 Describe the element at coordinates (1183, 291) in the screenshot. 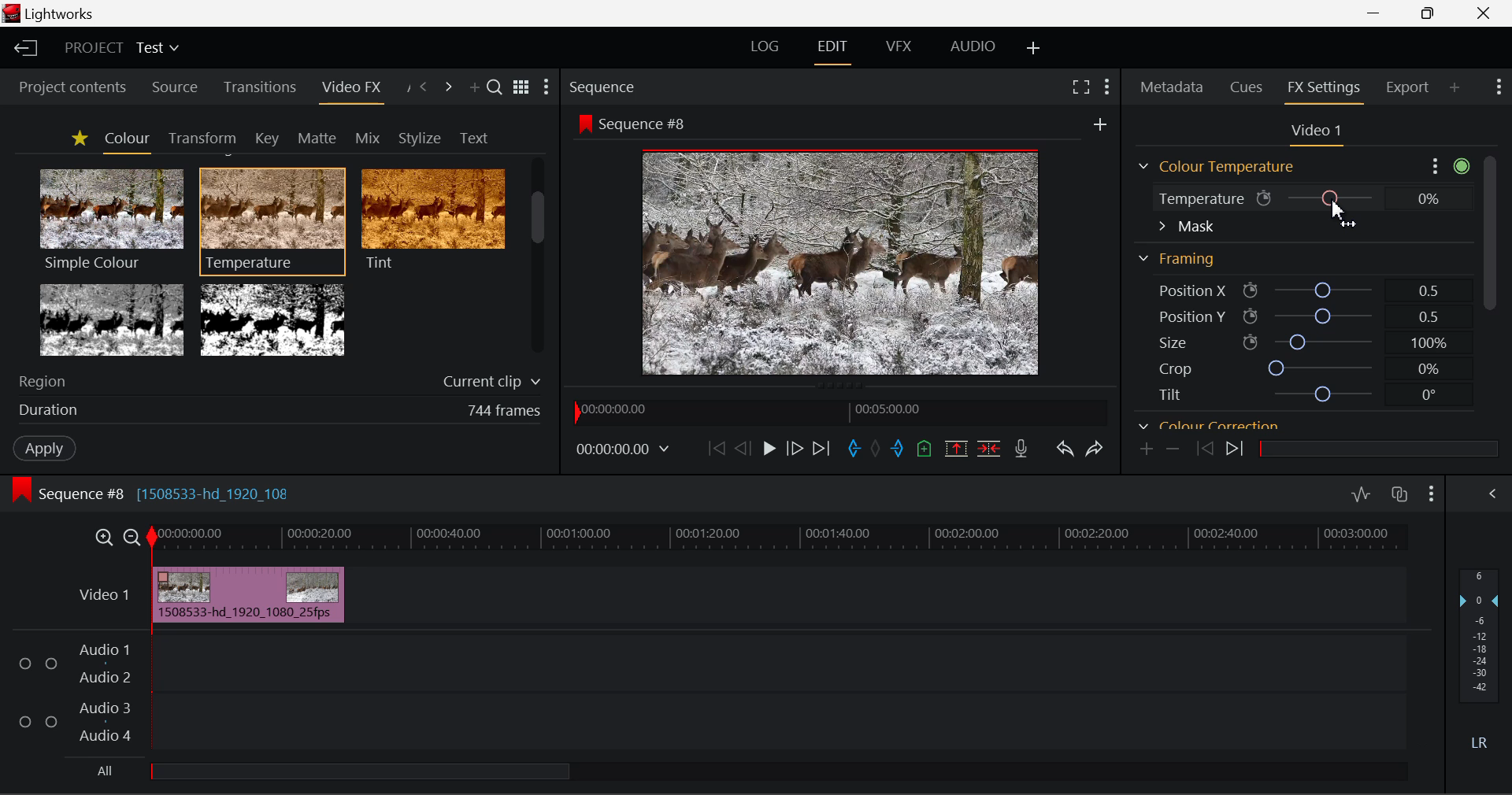

I see `Position X` at that location.